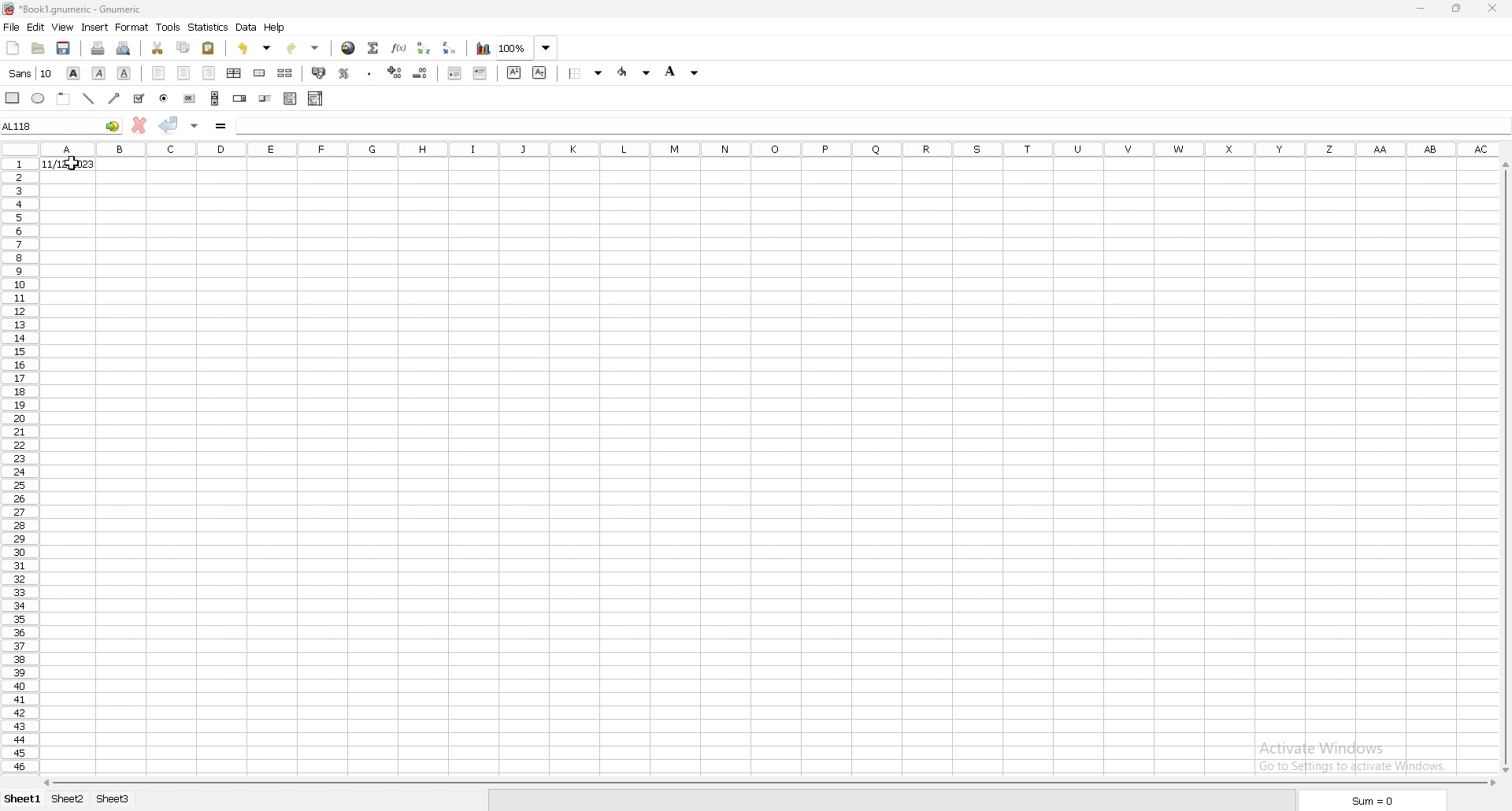 The height and width of the screenshot is (811, 1512). Describe the element at coordinates (74, 72) in the screenshot. I see `bold` at that location.